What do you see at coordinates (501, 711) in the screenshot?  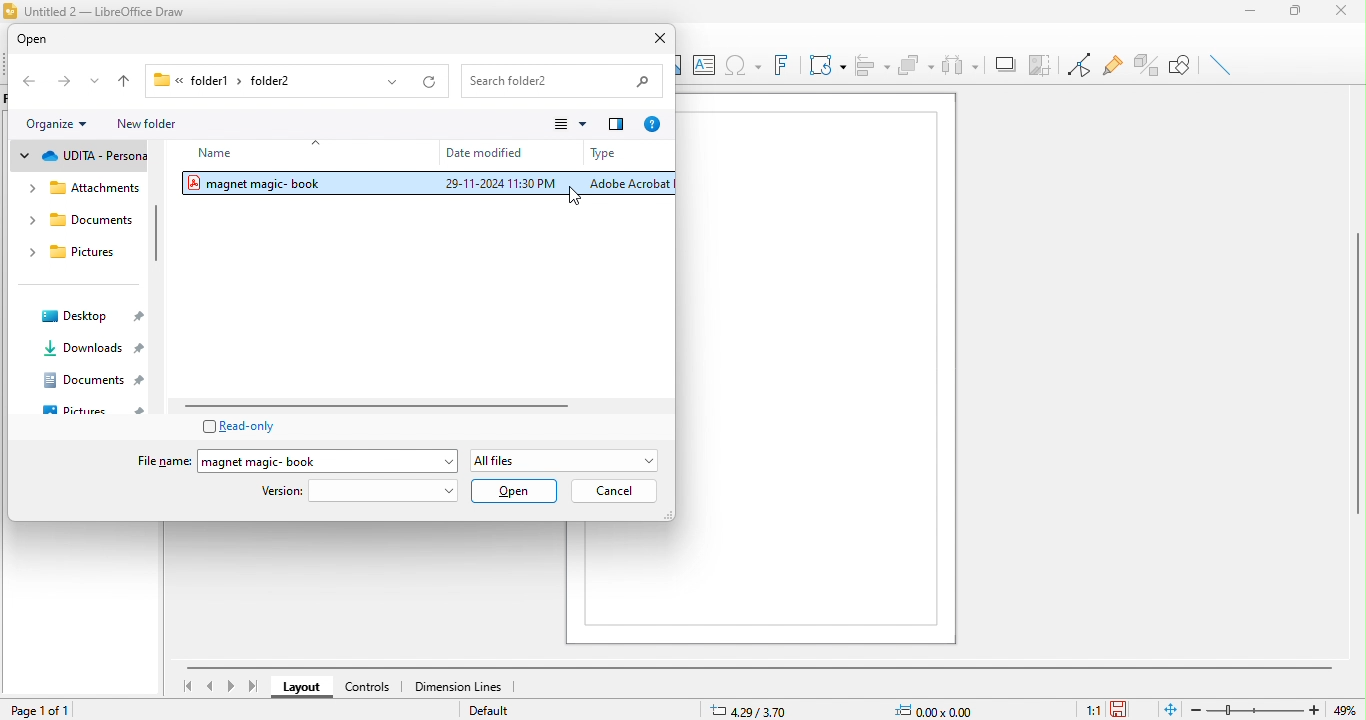 I see `default` at bounding box center [501, 711].